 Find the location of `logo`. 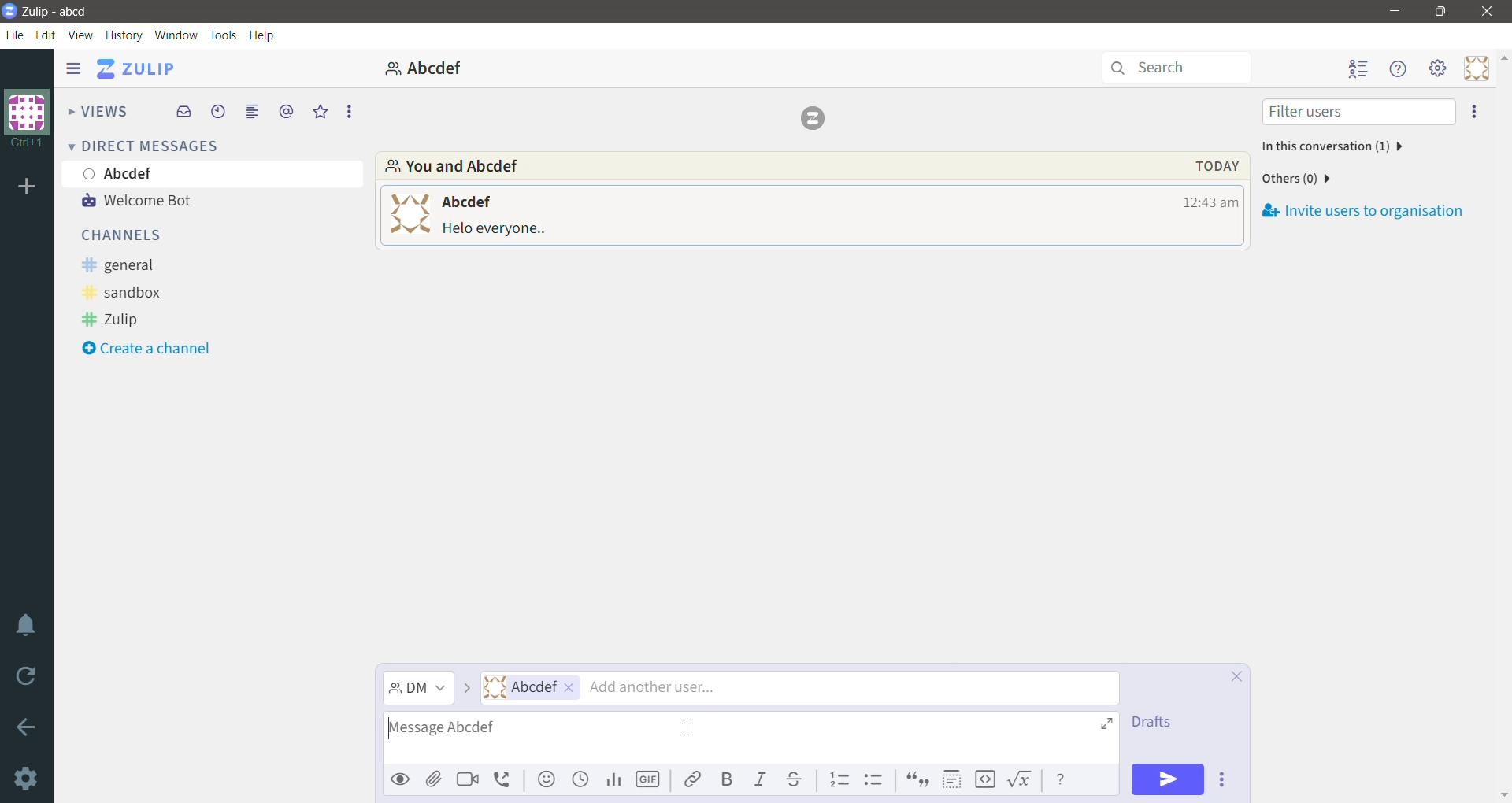

logo is located at coordinates (817, 118).